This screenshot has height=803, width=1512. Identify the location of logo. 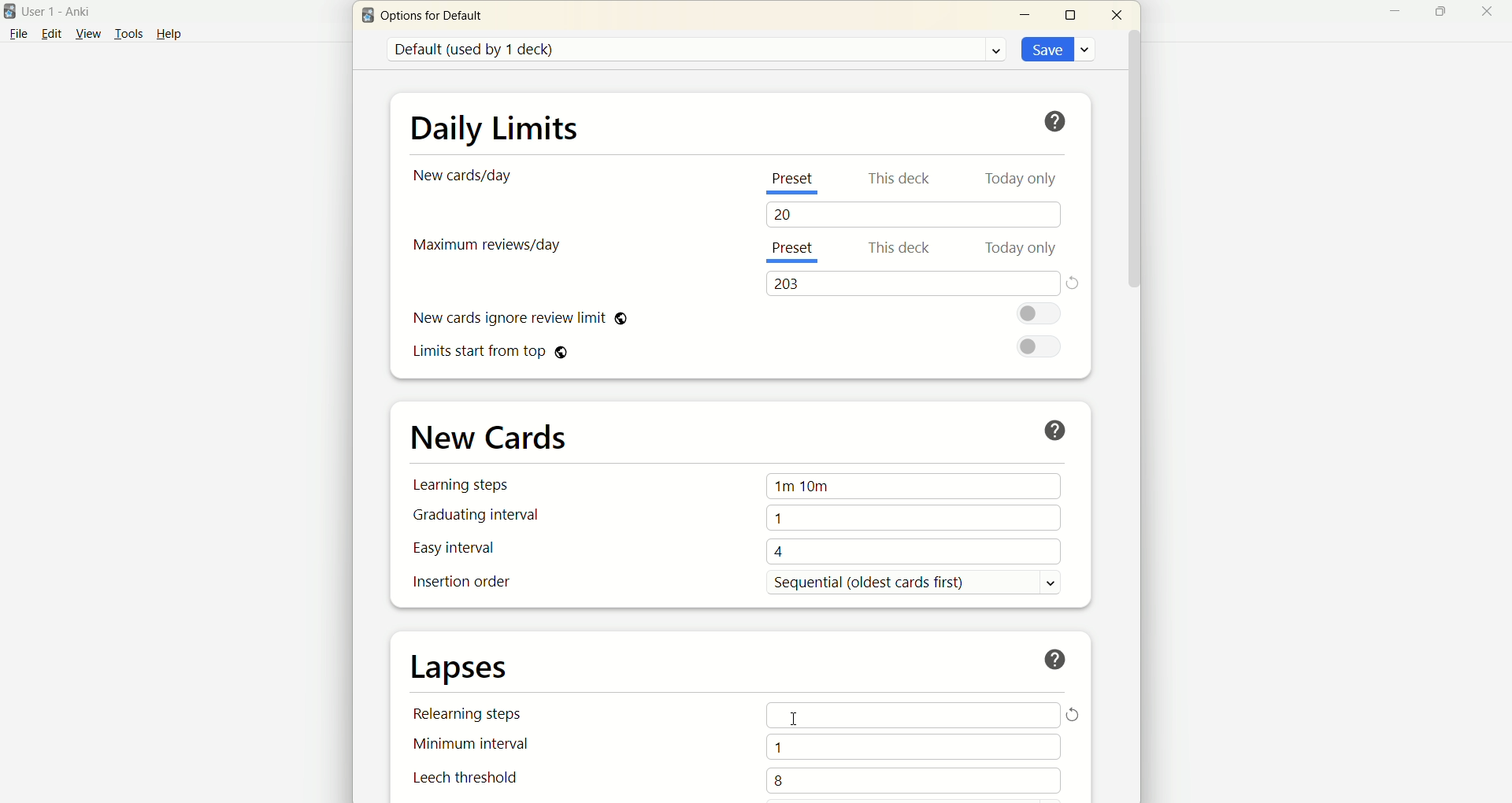
(10, 12).